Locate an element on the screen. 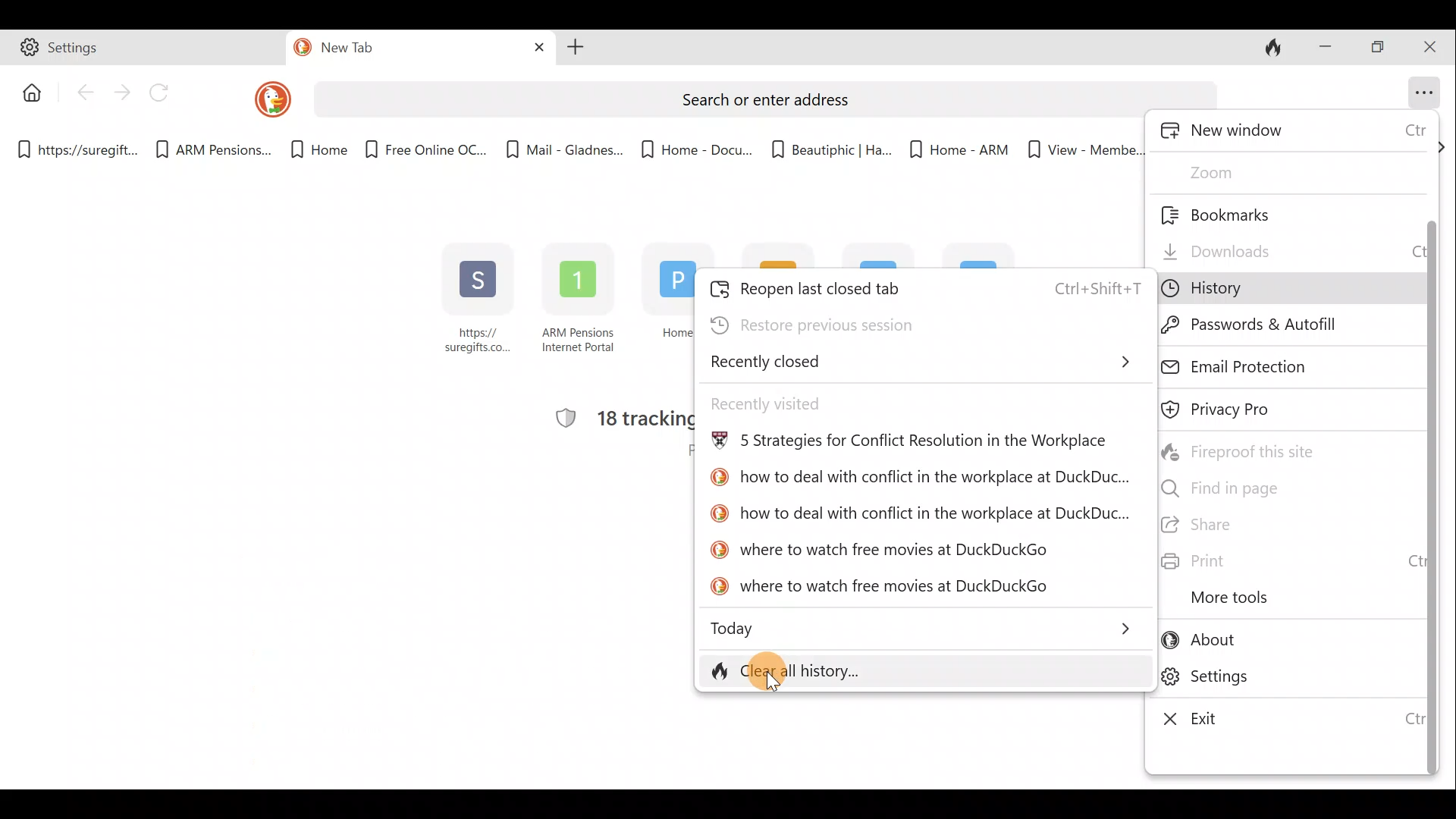 This screenshot has width=1456, height=819. tracking logo is located at coordinates (558, 419).